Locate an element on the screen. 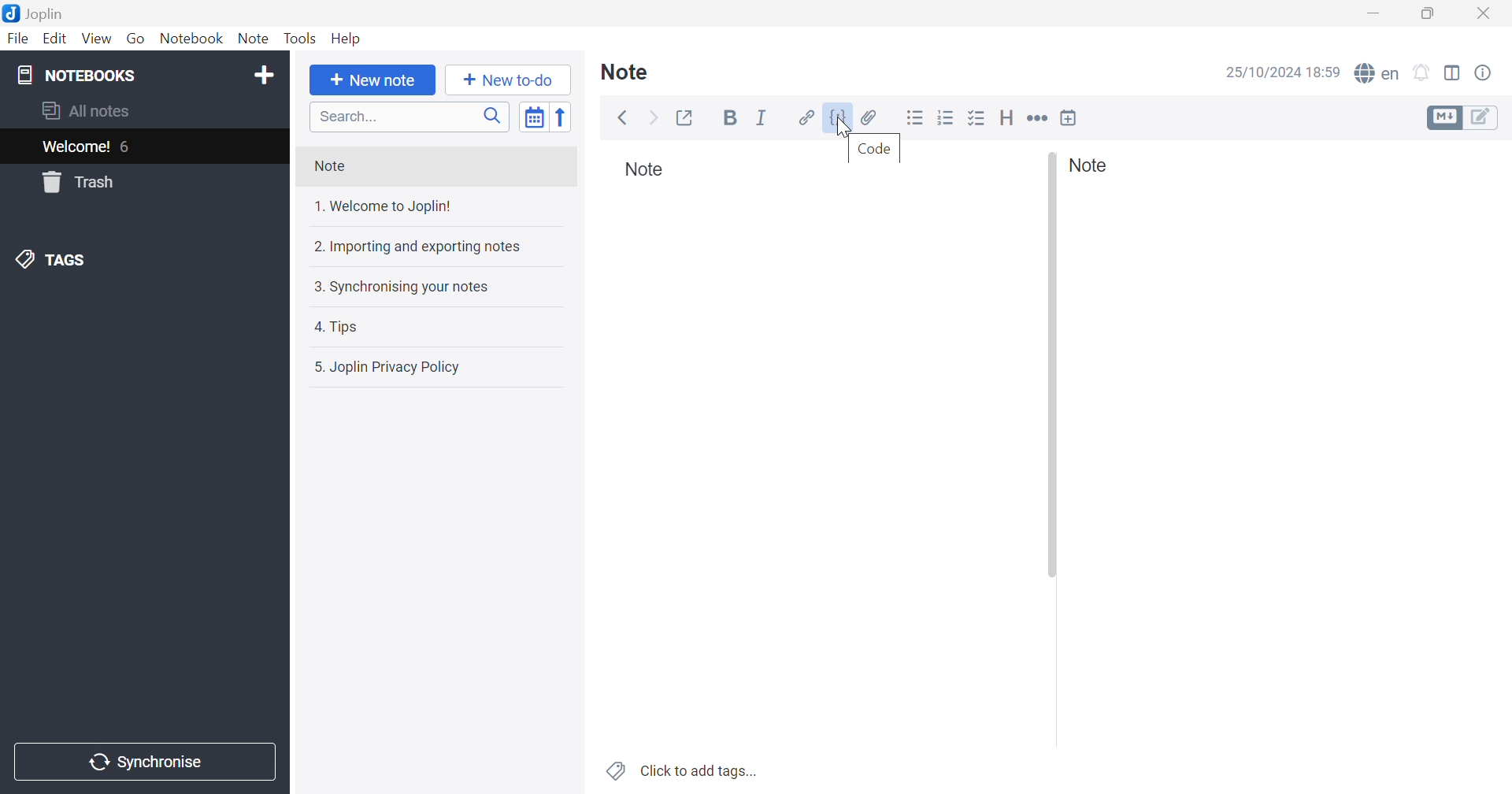  Attach file is located at coordinates (870, 117).